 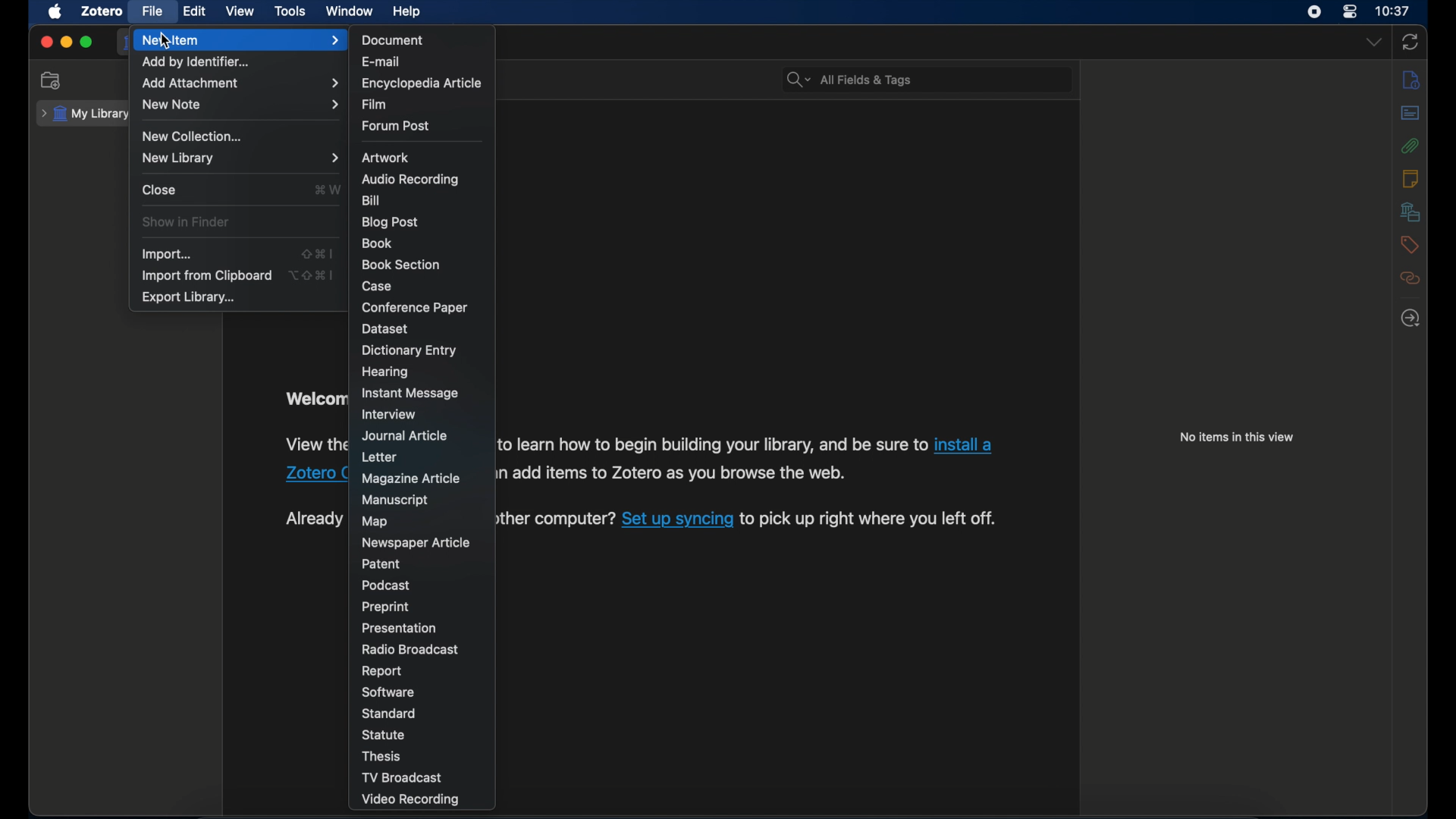 What do you see at coordinates (87, 43) in the screenshot?
I see `maximize` at bounding box center [87, 43].